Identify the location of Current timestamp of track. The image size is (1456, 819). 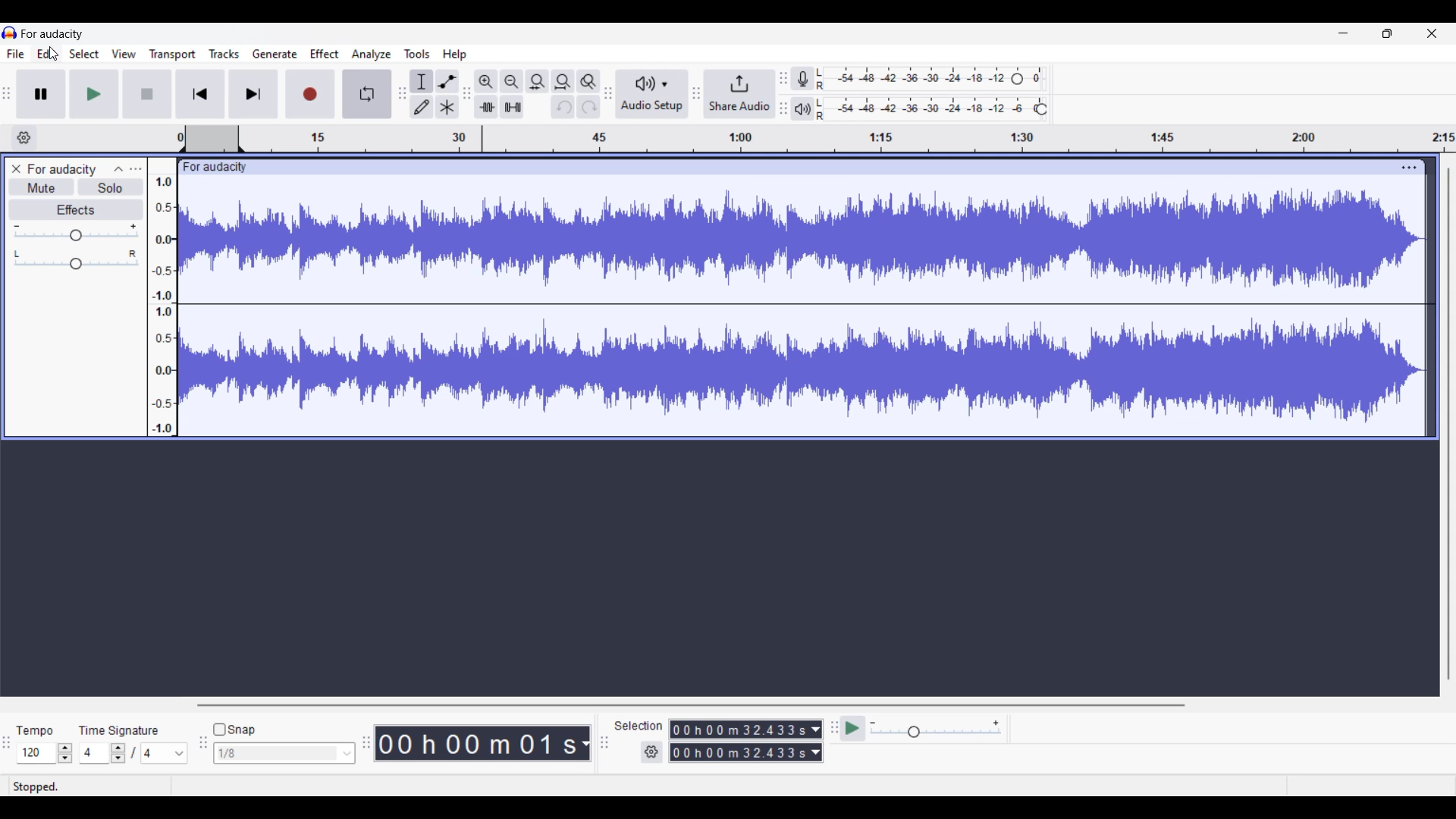
(476, 743).